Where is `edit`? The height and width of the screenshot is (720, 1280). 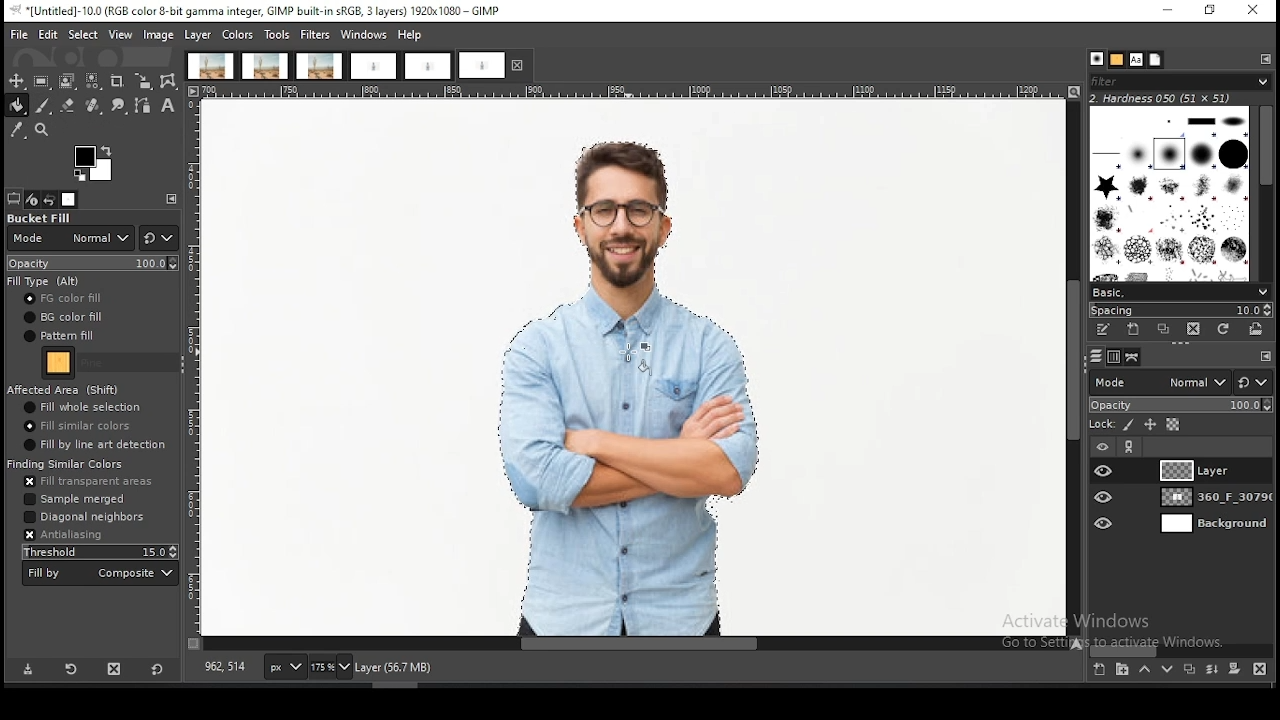 edit is located at coordinates (49, 34).